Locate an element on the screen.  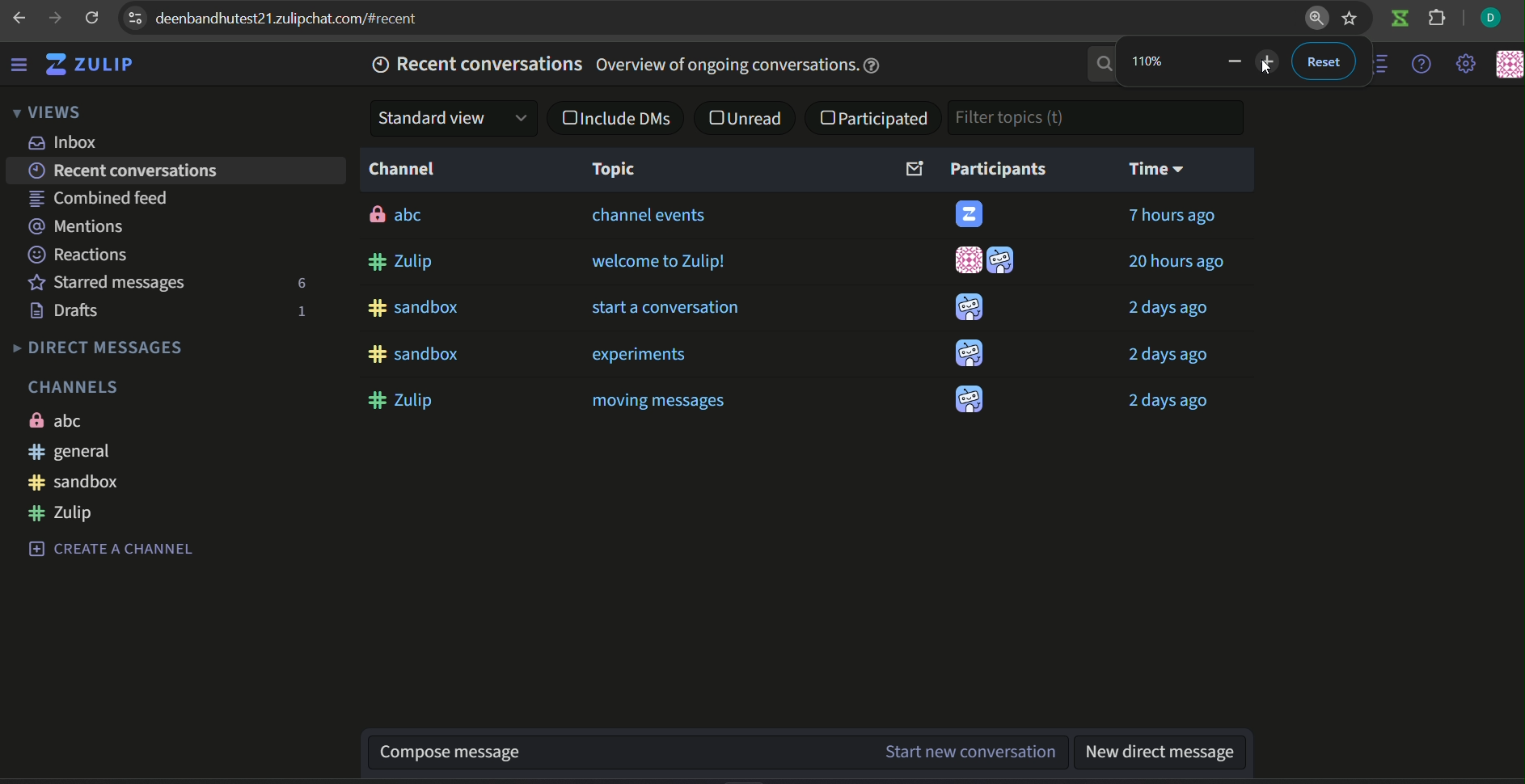
#zulip is located at coordinates (406, 263).